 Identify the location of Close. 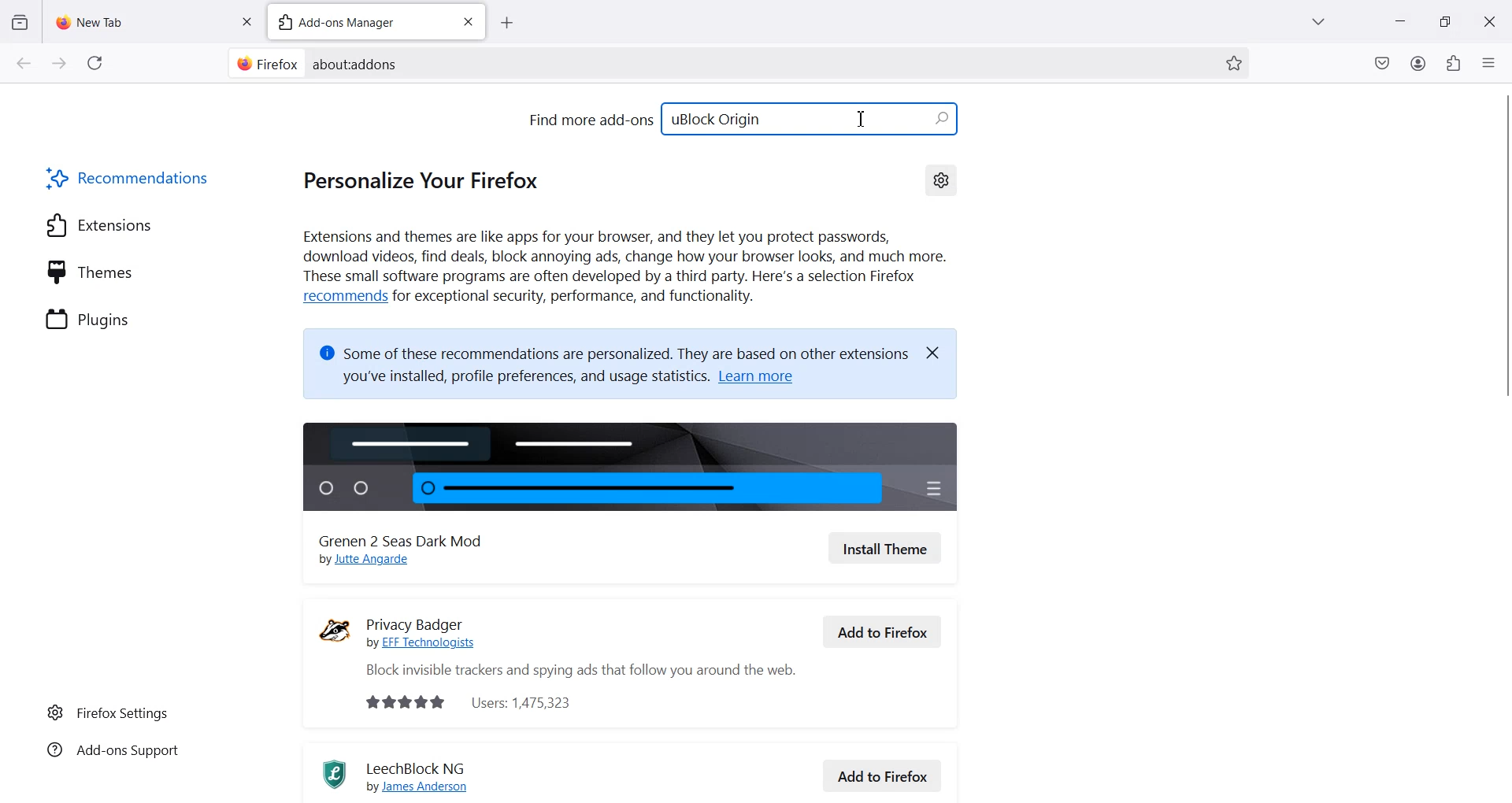
(939, 351).